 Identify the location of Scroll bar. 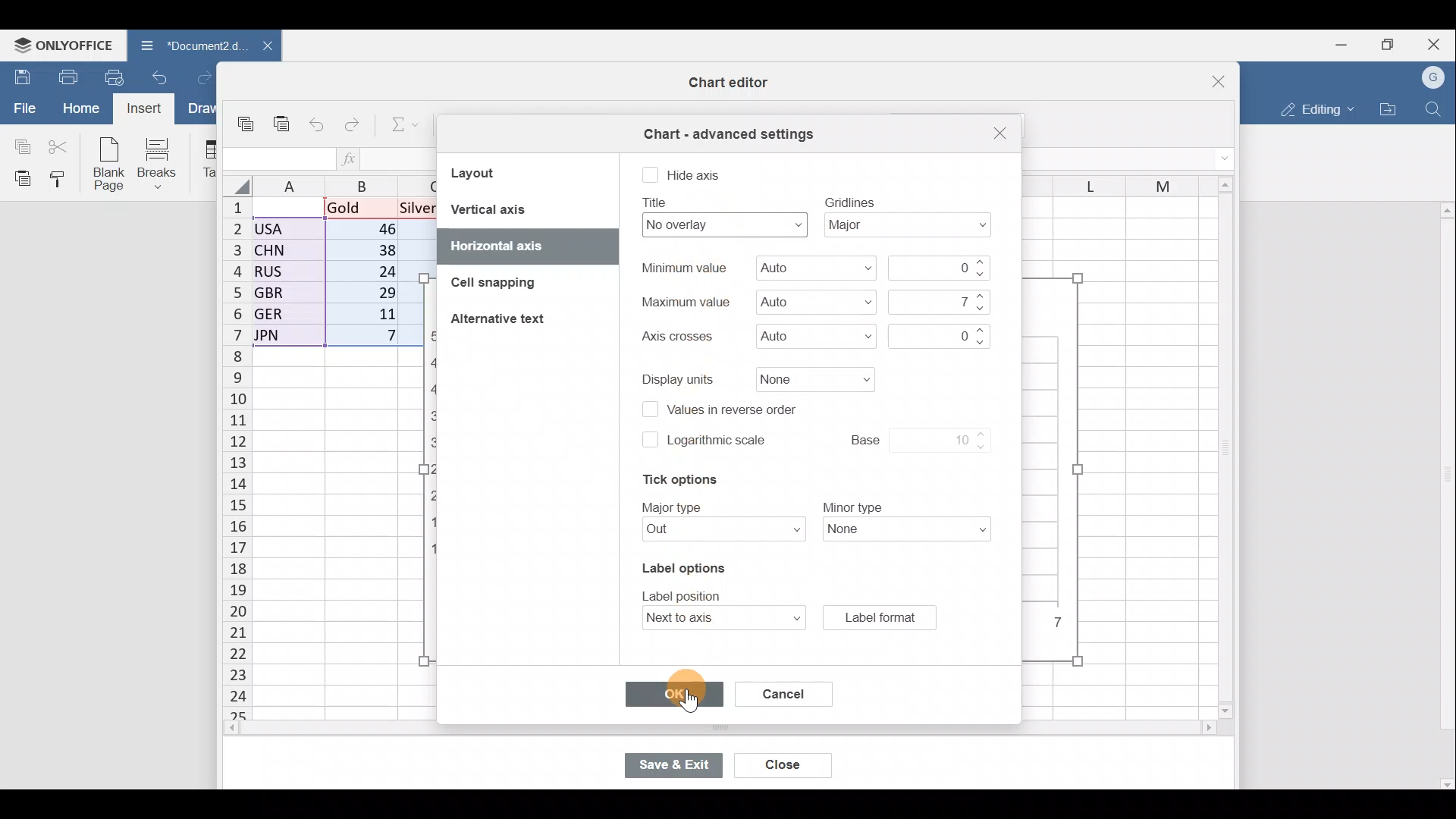
(1220, 449).